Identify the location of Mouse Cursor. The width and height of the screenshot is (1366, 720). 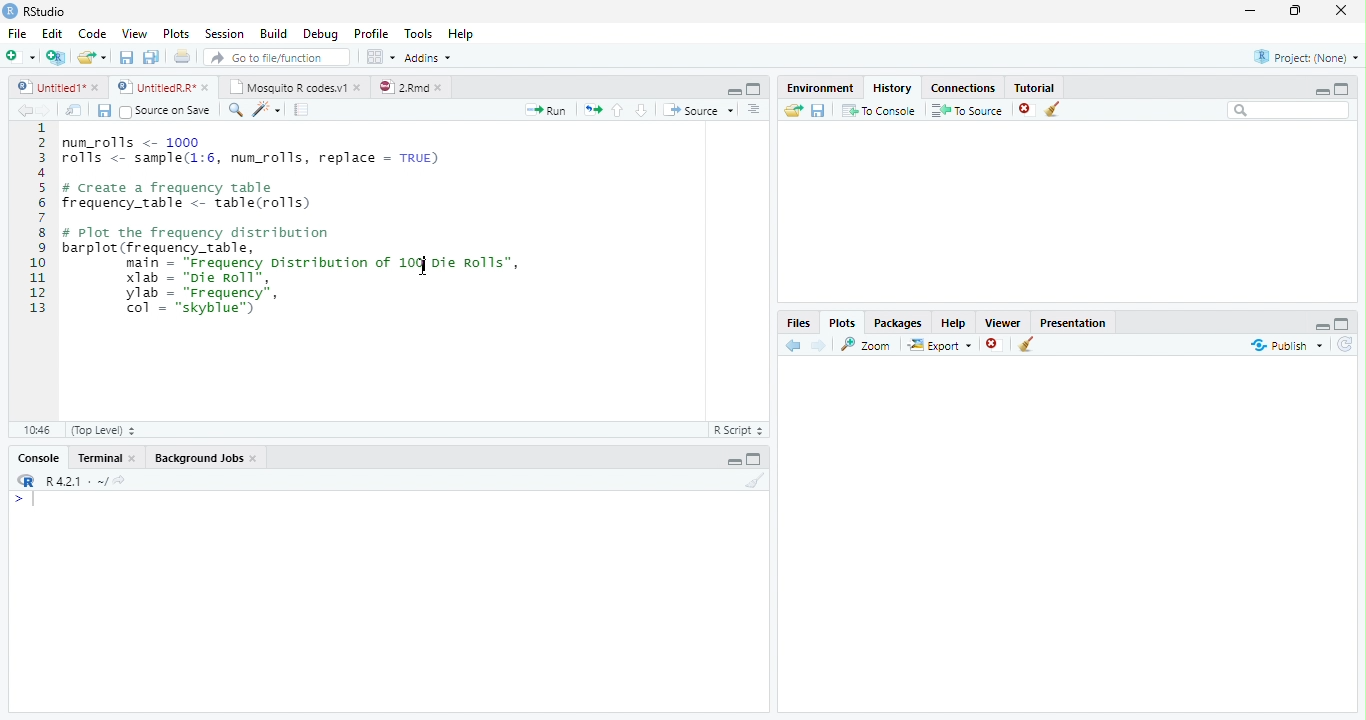
(421, 269).